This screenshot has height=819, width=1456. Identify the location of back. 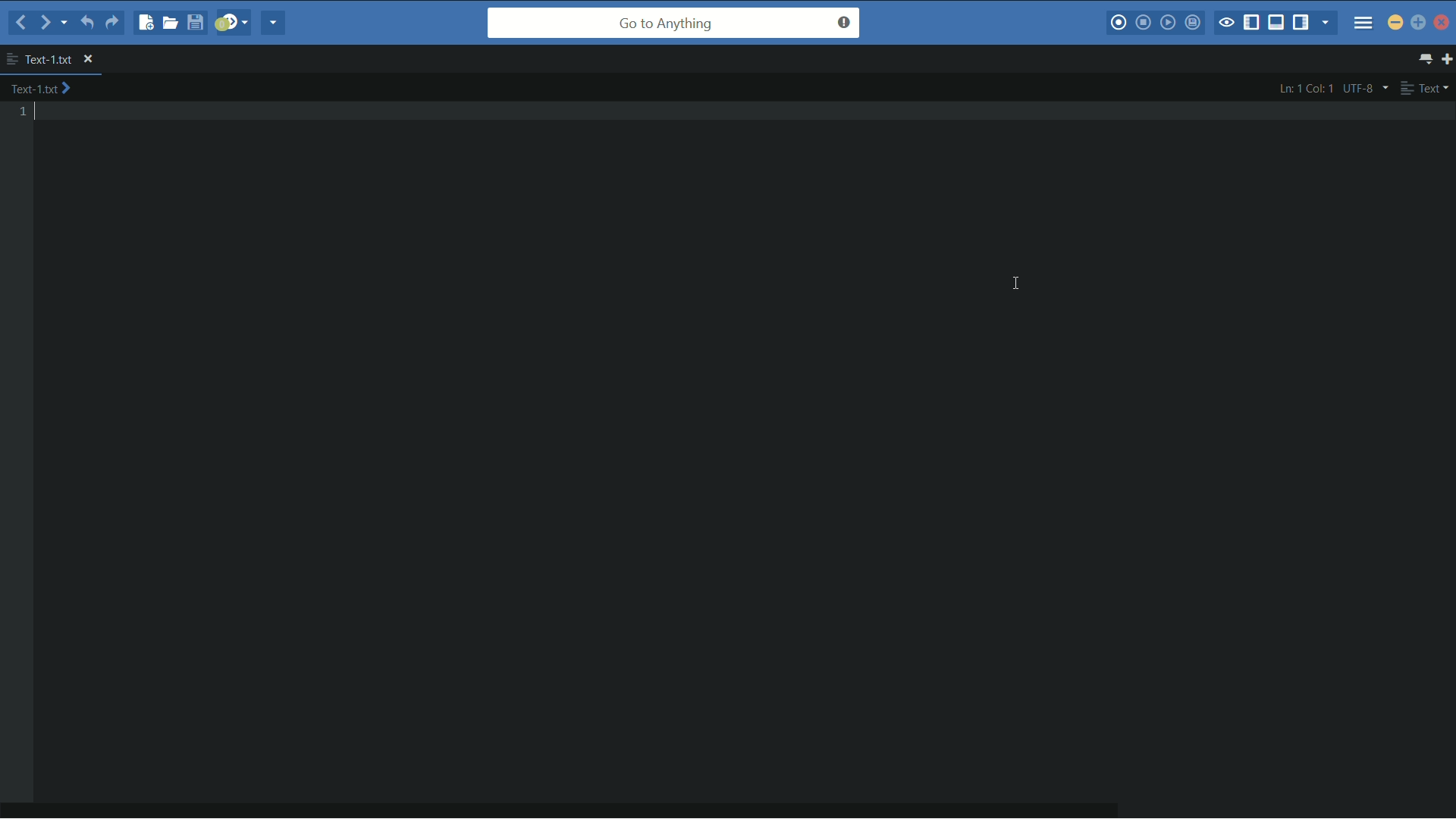
(19, 22).